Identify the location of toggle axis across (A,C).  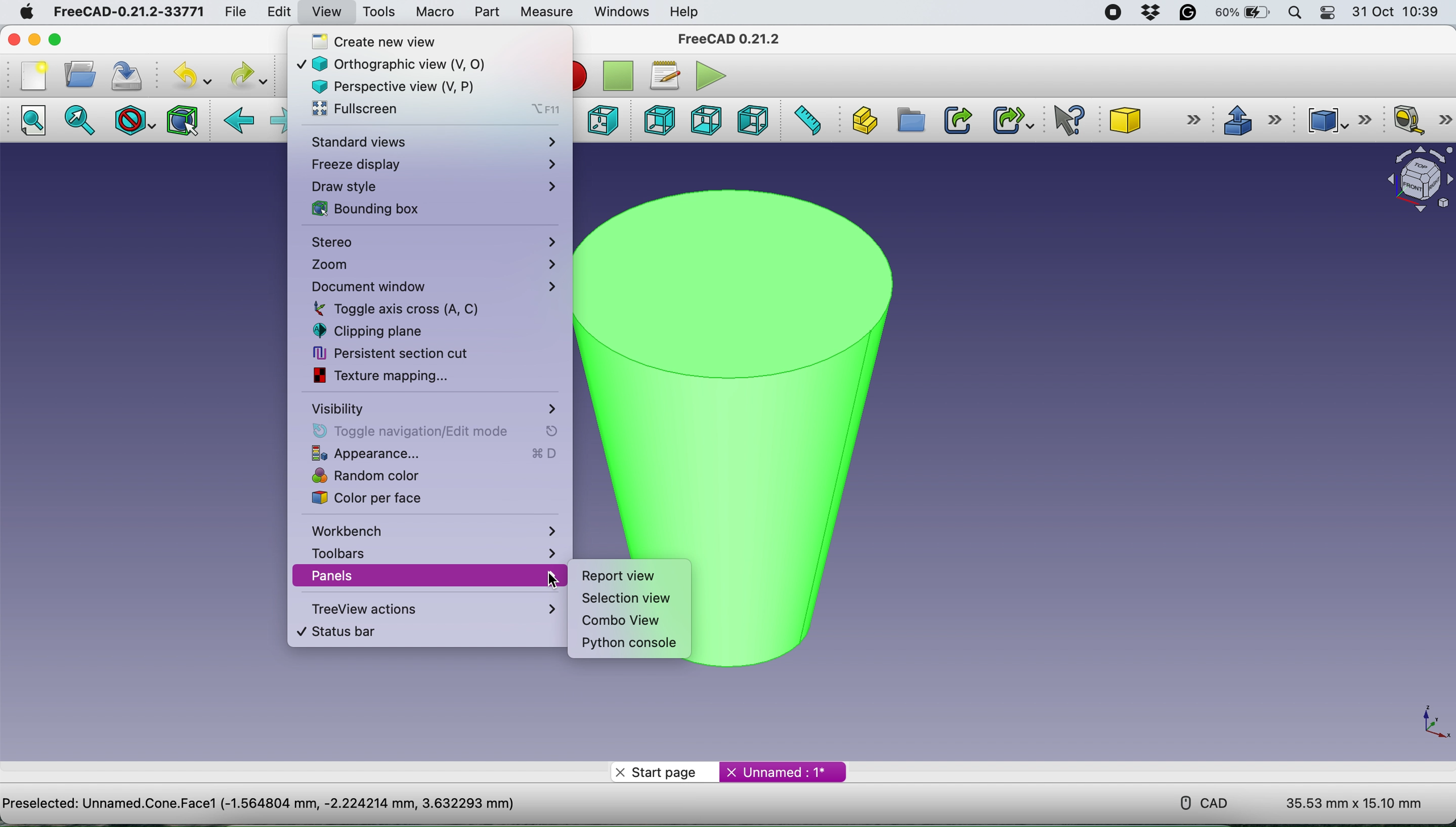
(429, 308).